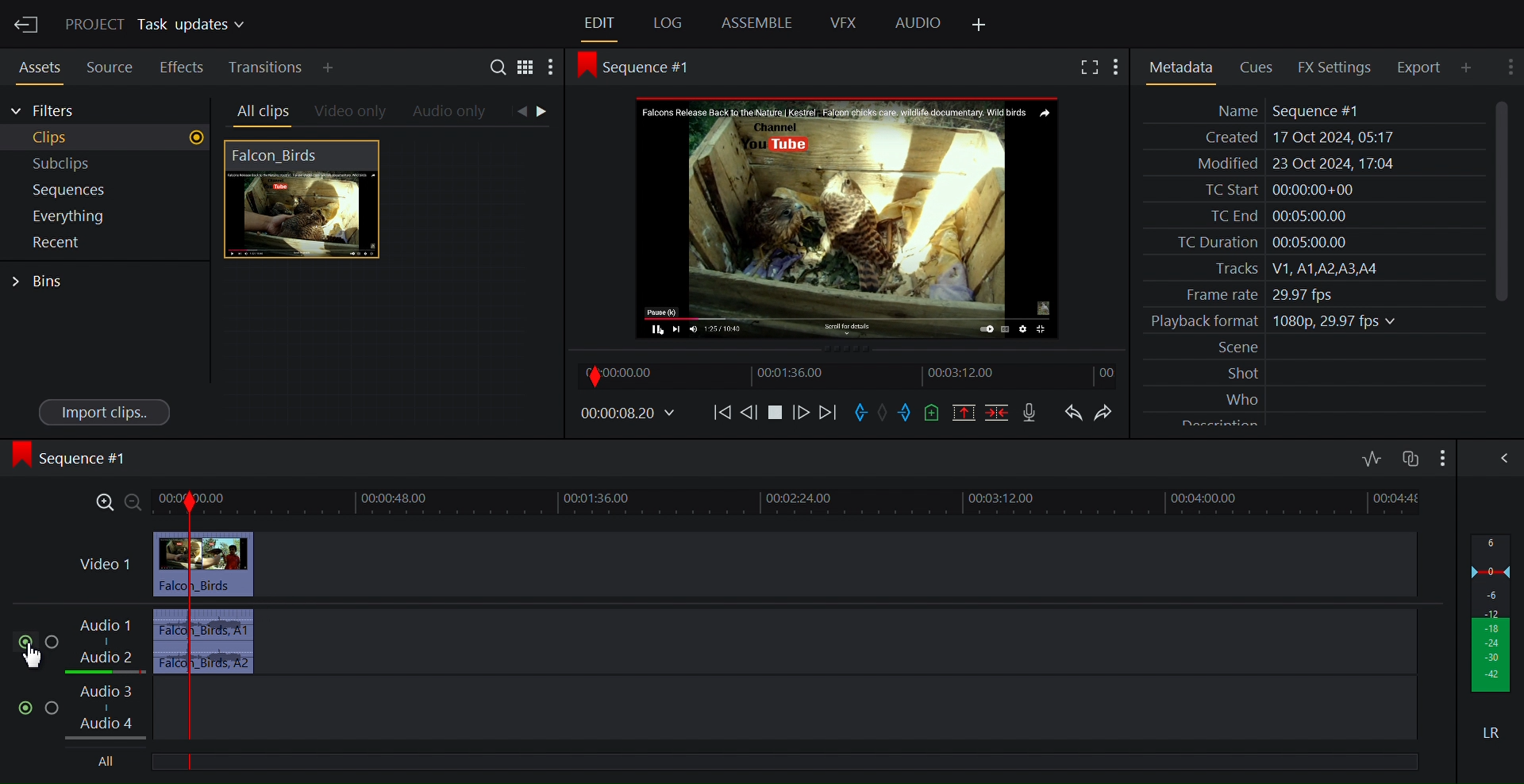  I want to click on All clips, so click(260, 112).